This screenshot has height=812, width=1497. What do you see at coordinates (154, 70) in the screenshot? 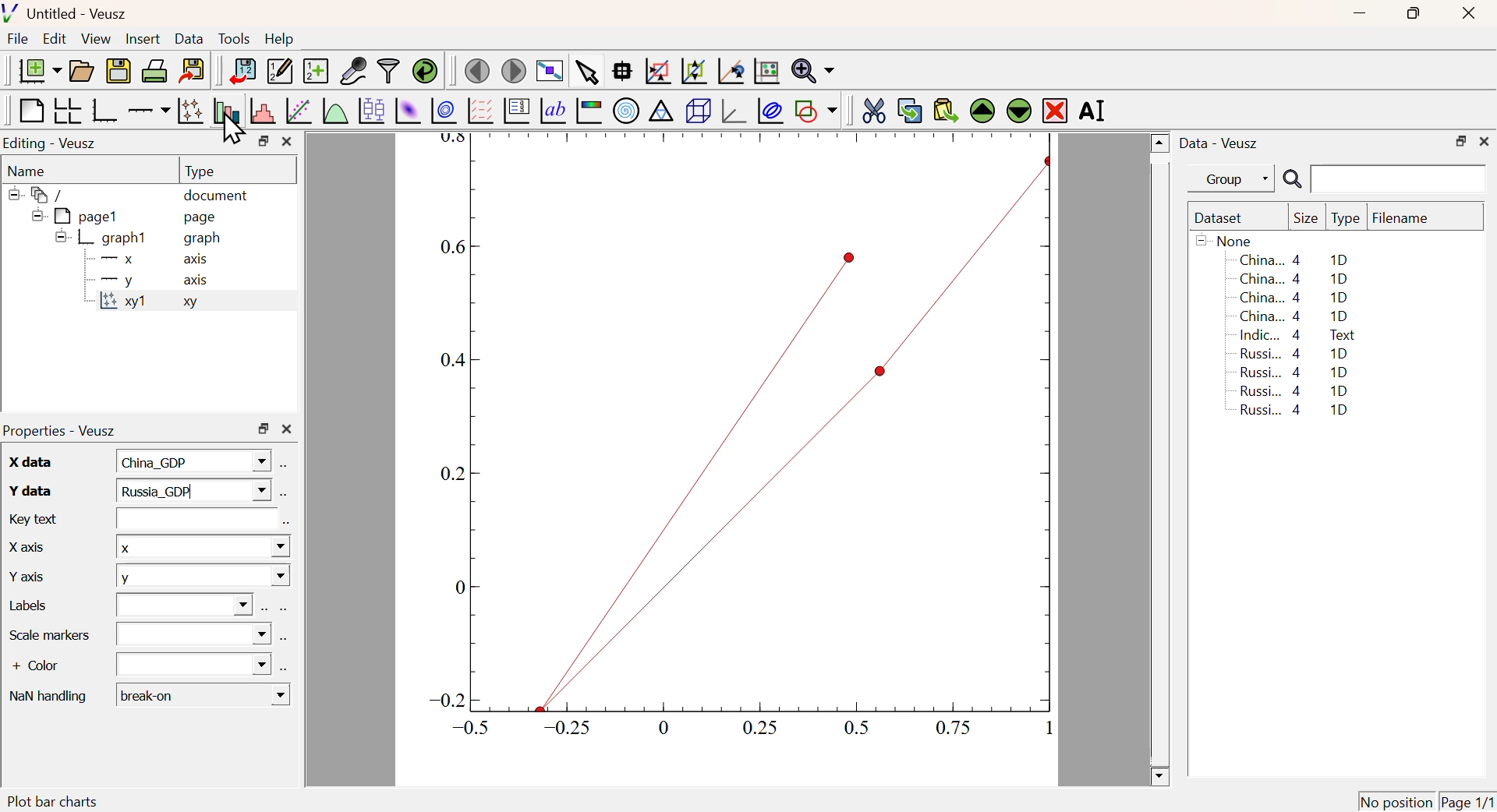
I see `Print Document` at bounding box center [154, 70].